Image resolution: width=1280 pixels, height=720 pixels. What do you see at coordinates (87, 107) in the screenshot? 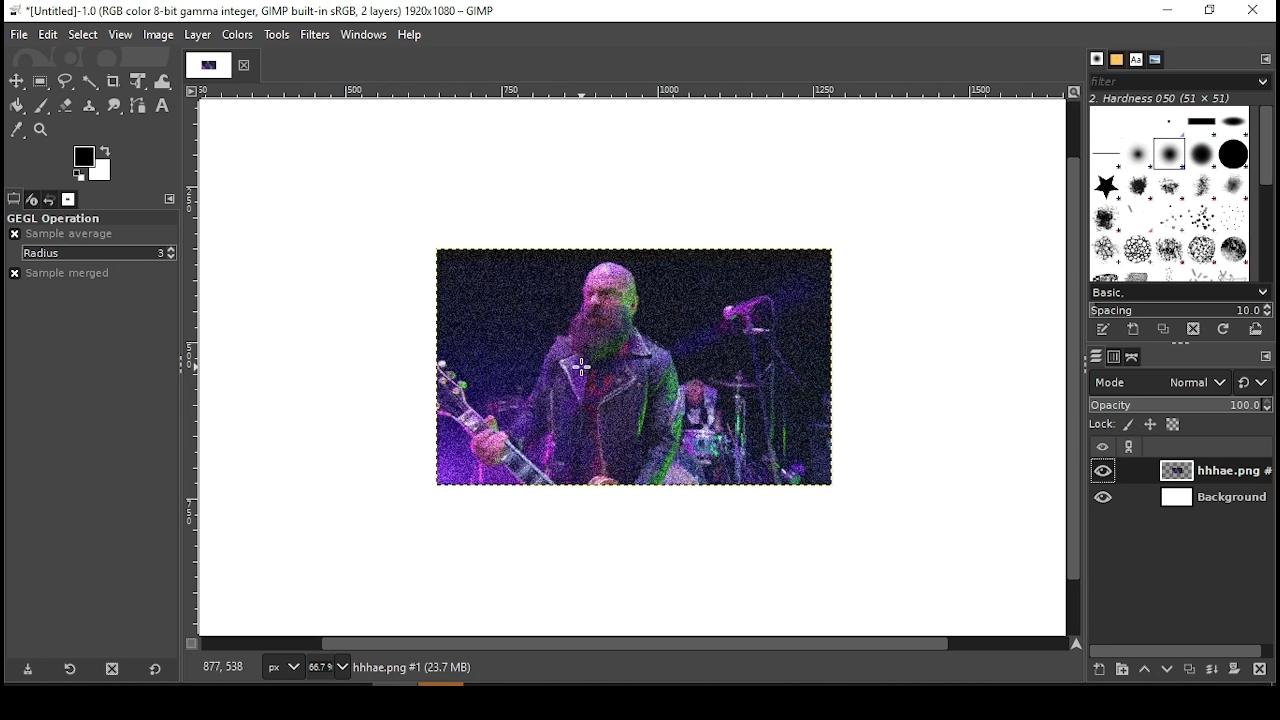
I see `heal tool` at bounding box center [87, 107].